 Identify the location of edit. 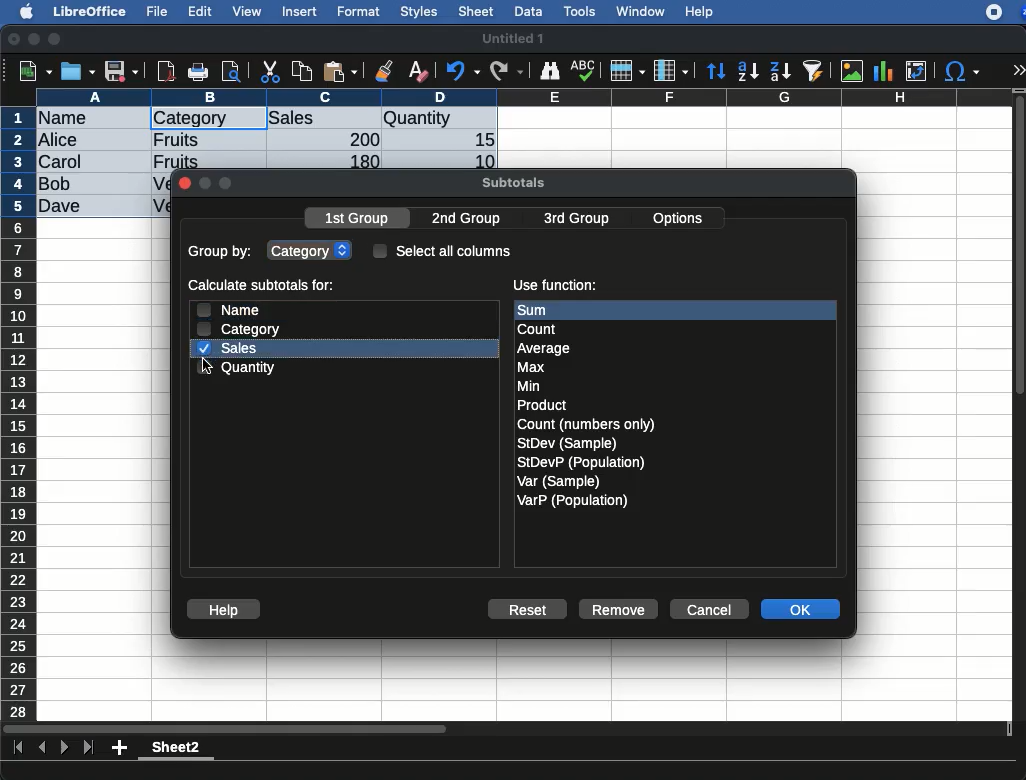
(200, 11).